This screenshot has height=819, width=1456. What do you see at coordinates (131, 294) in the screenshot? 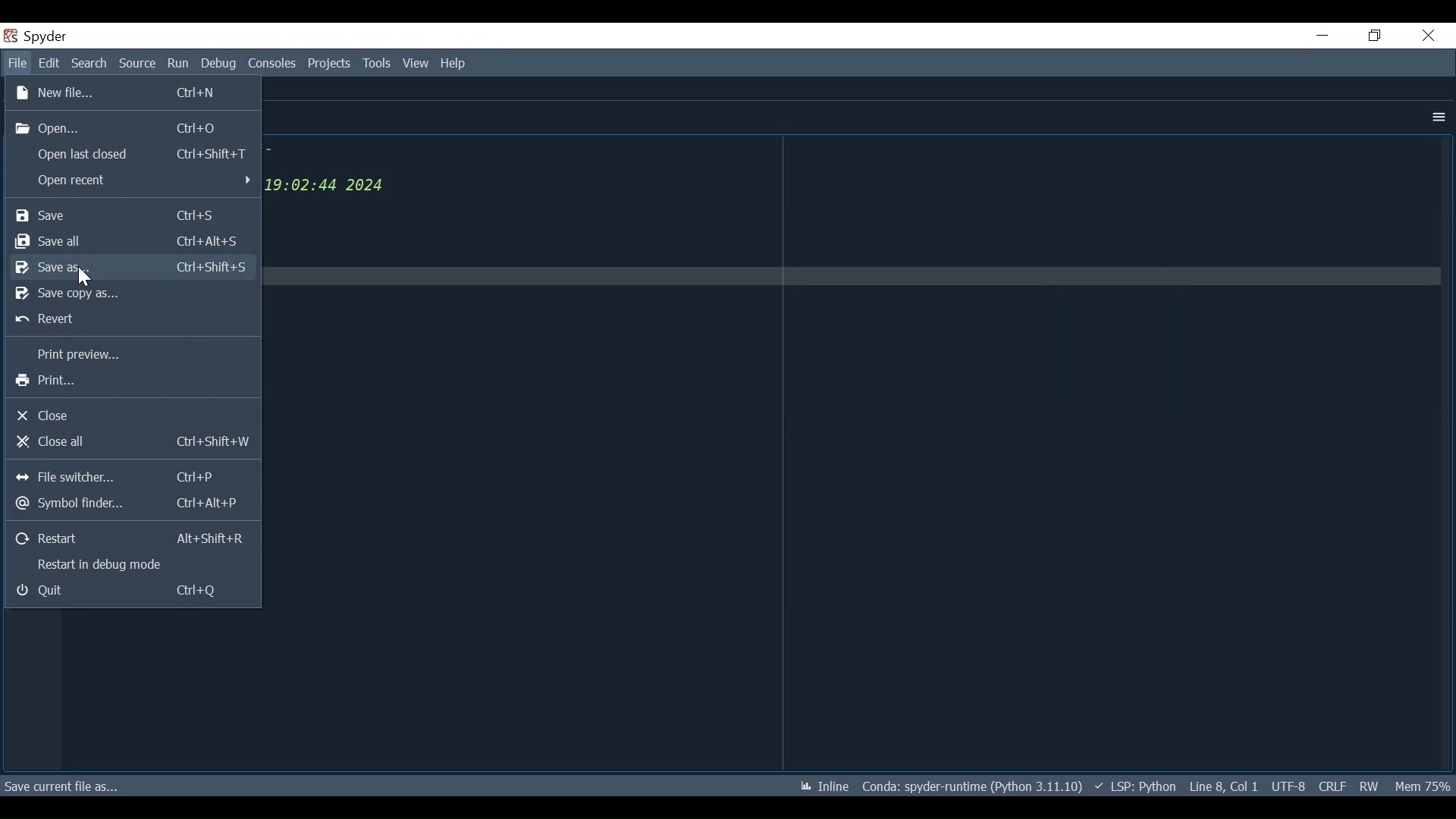
I see `Save Copy as` at bounding box center [131, 294].